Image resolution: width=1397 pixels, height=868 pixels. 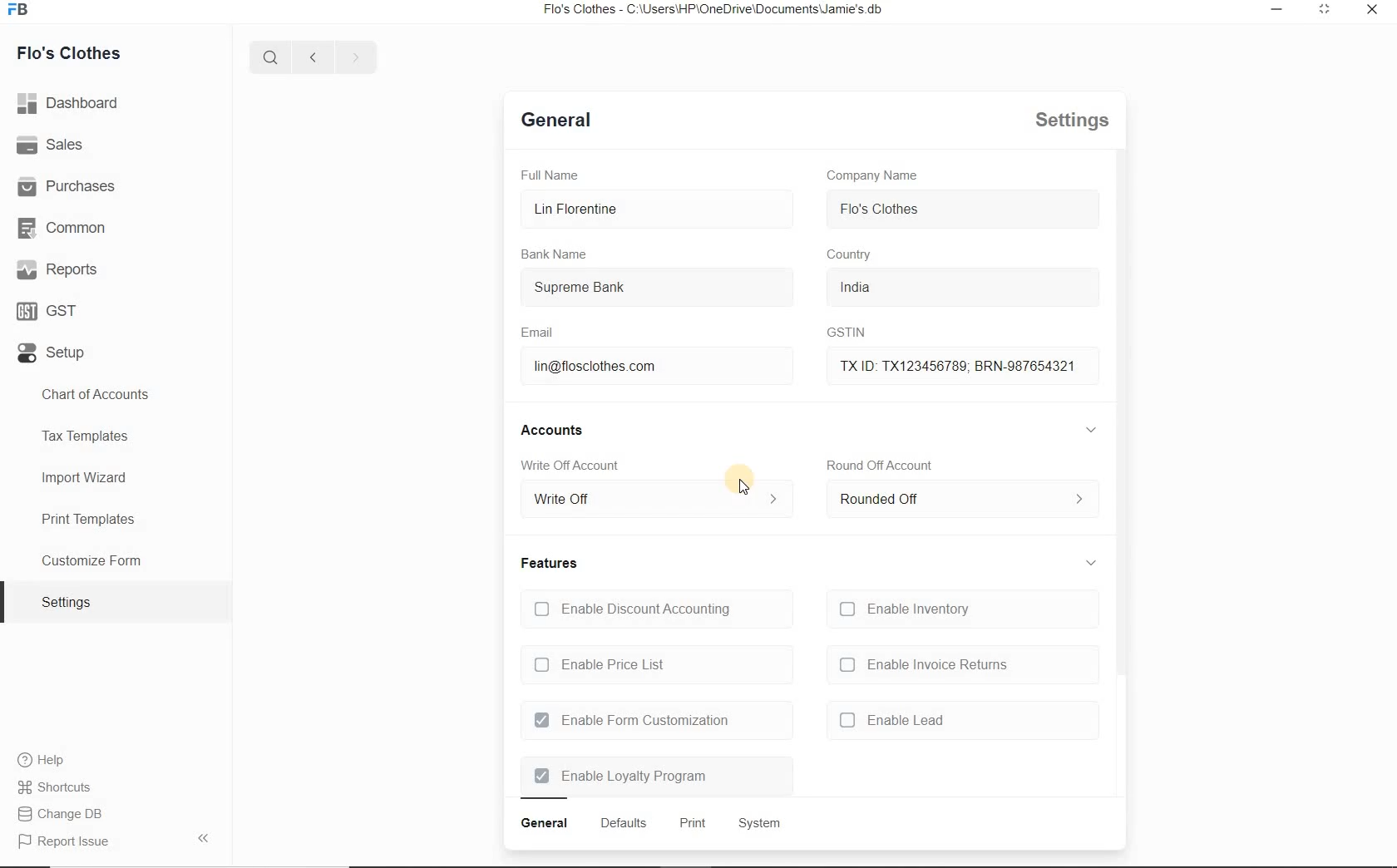 What do you see at coordinates (86, 479) in the screenshot?
I see `Import Wizard` at bounding box center [86, 479].